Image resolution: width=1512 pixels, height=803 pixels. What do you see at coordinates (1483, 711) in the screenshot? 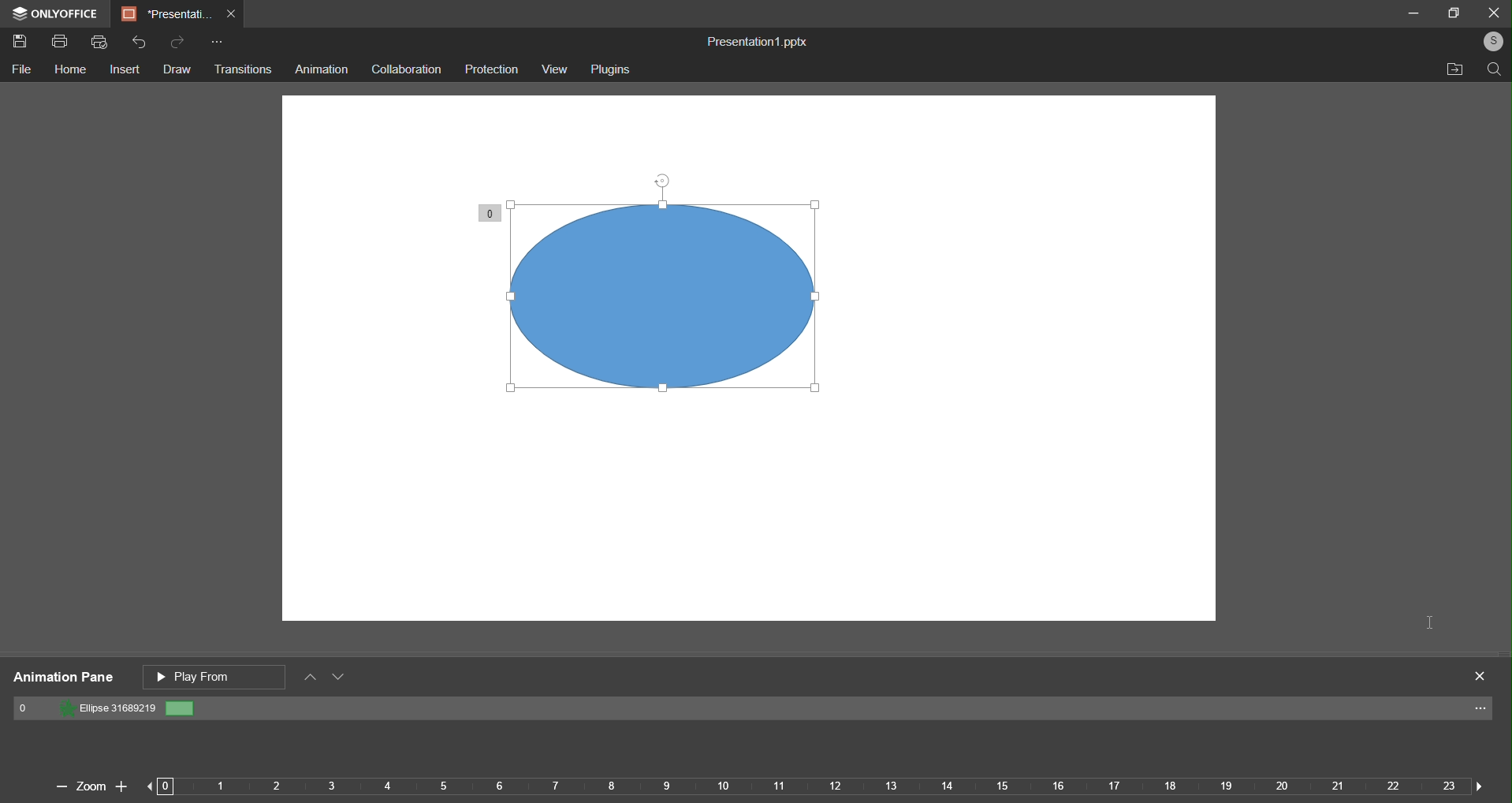
I see `More` at bounding box center [1483, 711].